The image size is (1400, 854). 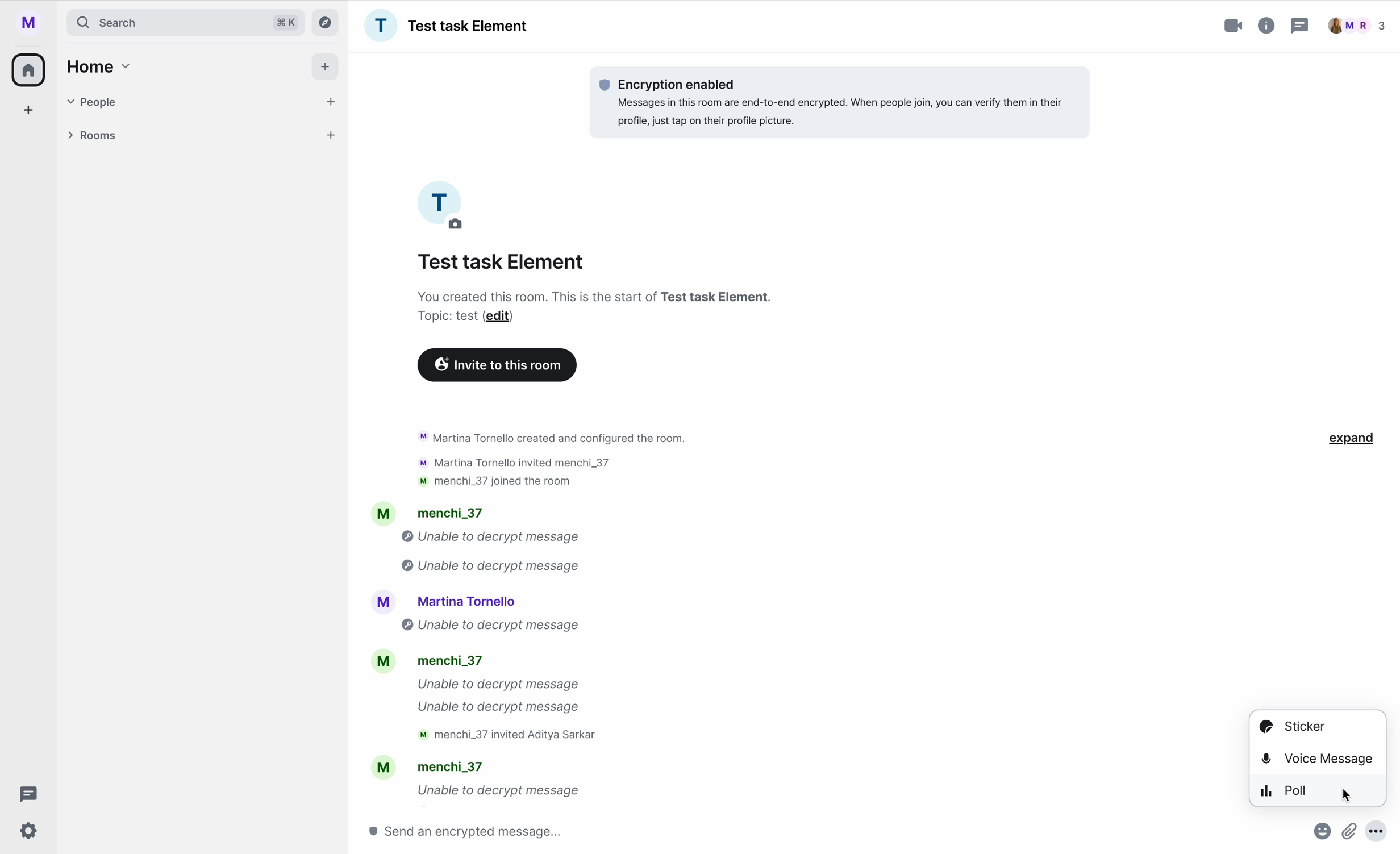 What do you see at coordinates (606, 295) in the screenshot?
I see `You created this room. This is the start of Test task Element.` at bounding box center [606, 295].